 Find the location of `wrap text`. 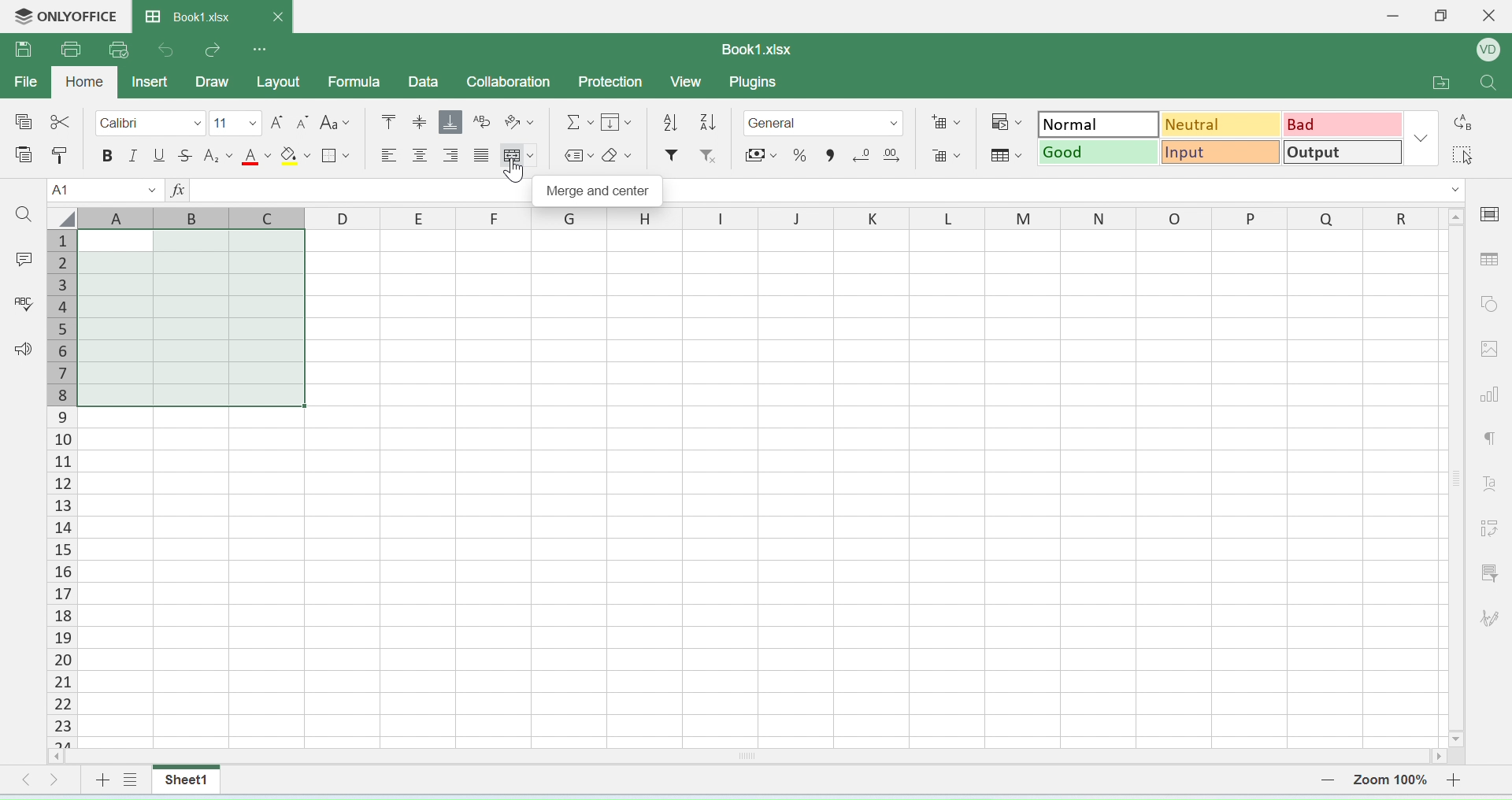

wrap text is located at coordinates (482, 121).